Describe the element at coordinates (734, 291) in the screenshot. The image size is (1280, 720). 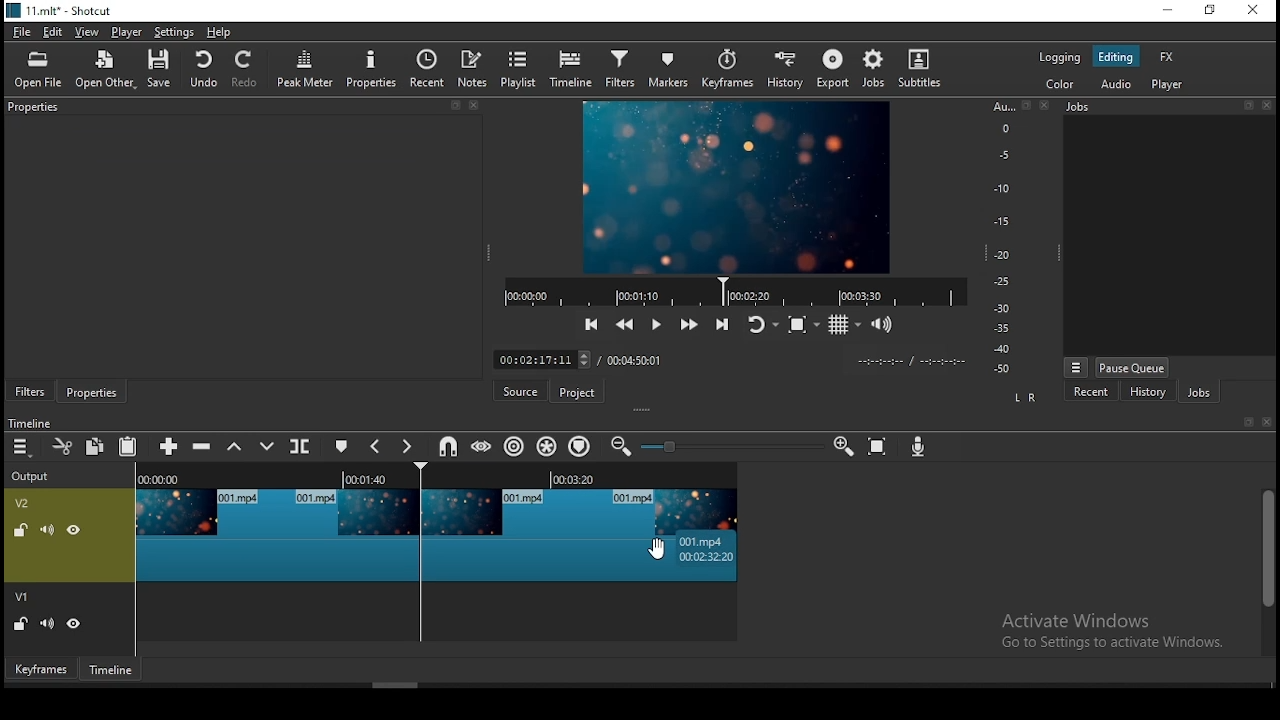
I see `TIMELINE` at that location.